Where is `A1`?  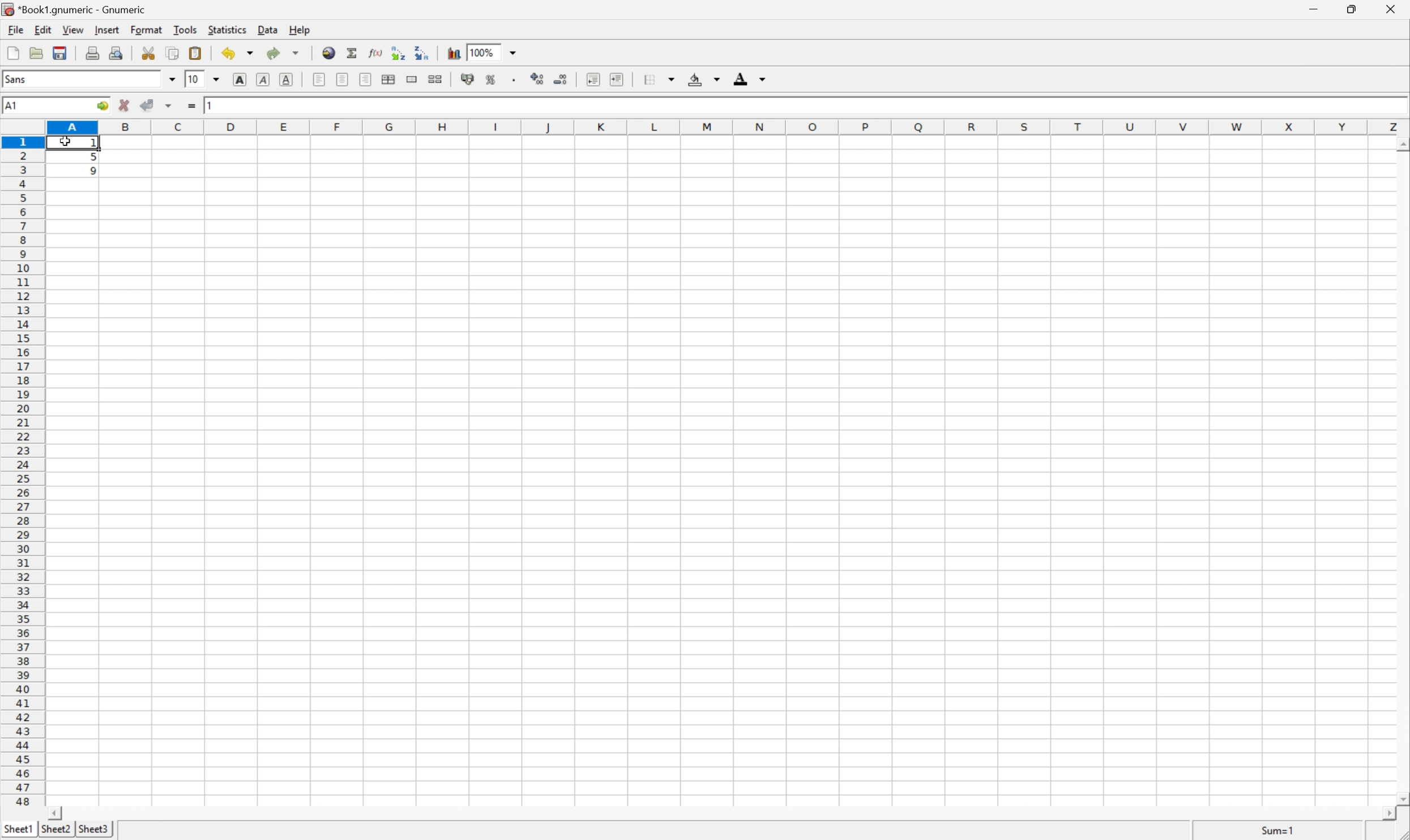
A1 is located at coordinates (11, 106).